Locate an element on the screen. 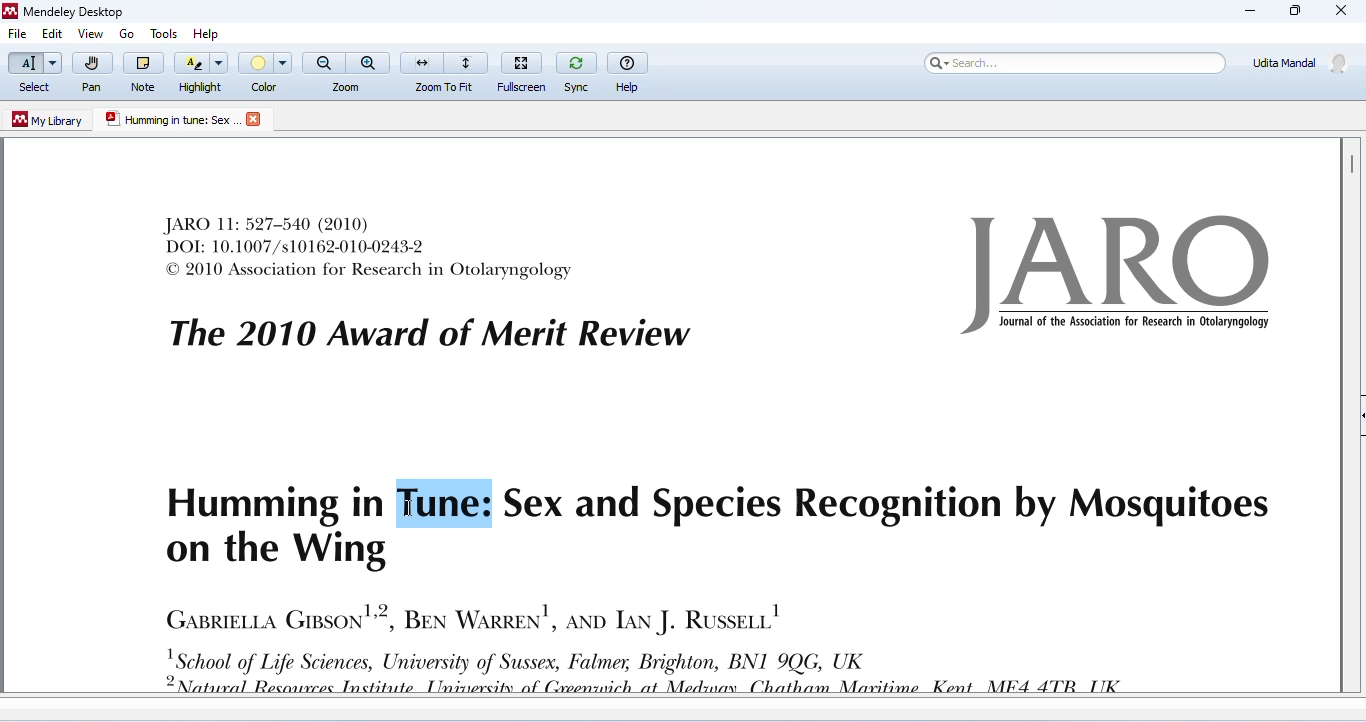  Text cursor is located at coordinates (406, 509).